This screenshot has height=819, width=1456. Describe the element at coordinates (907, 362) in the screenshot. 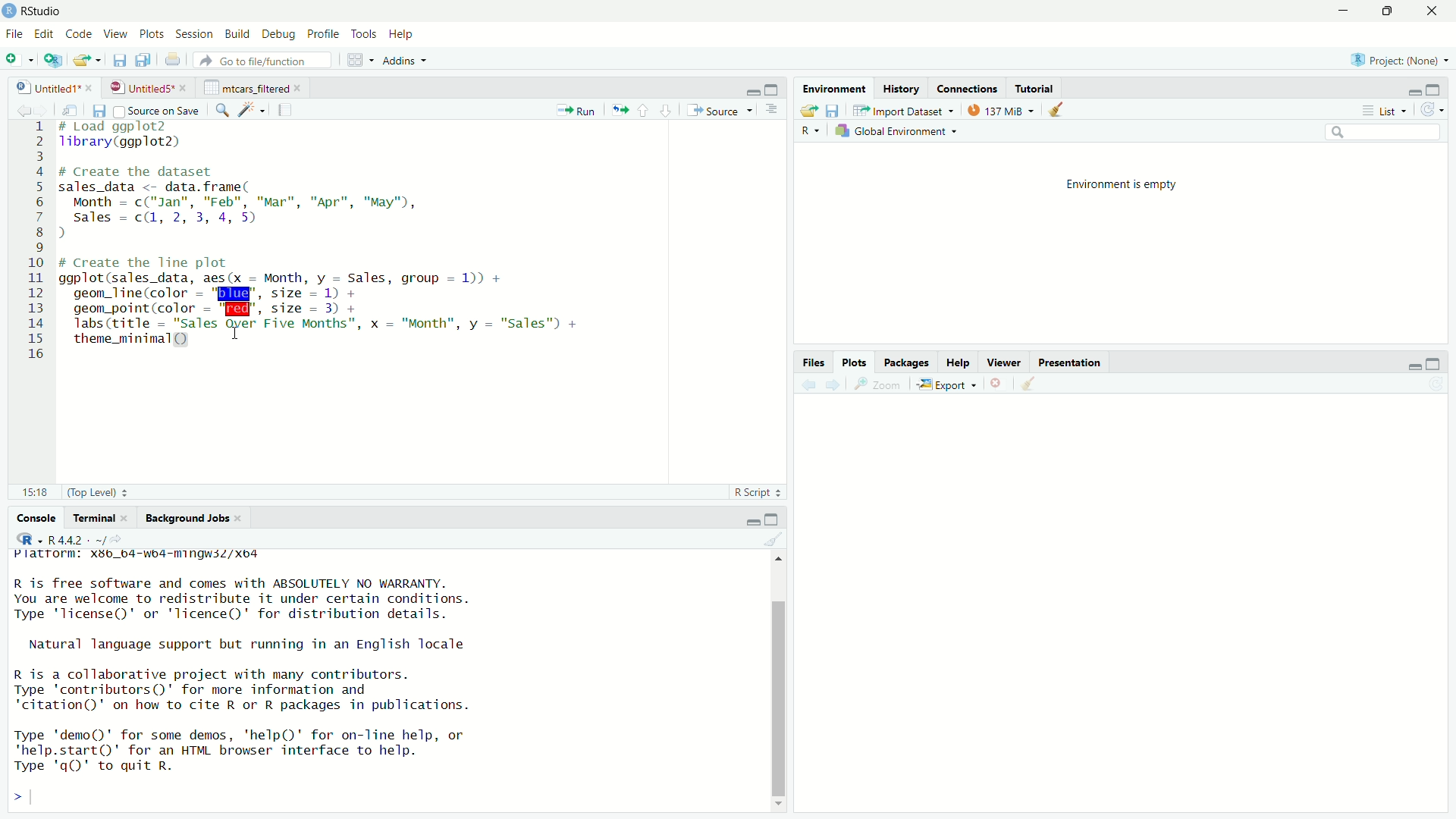

I see `Packages` at that location.